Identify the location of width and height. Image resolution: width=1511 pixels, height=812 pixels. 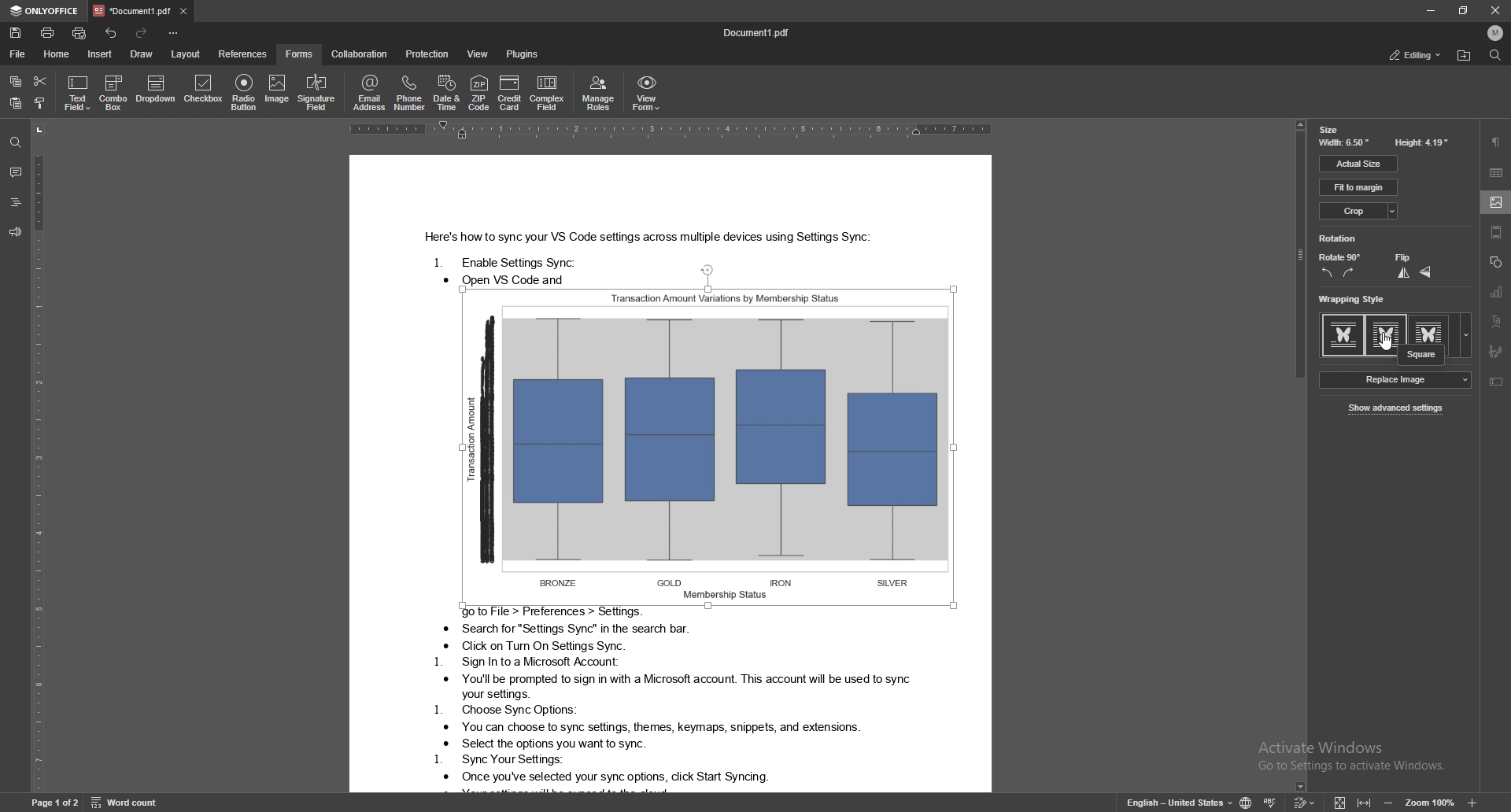
(1384, 144).